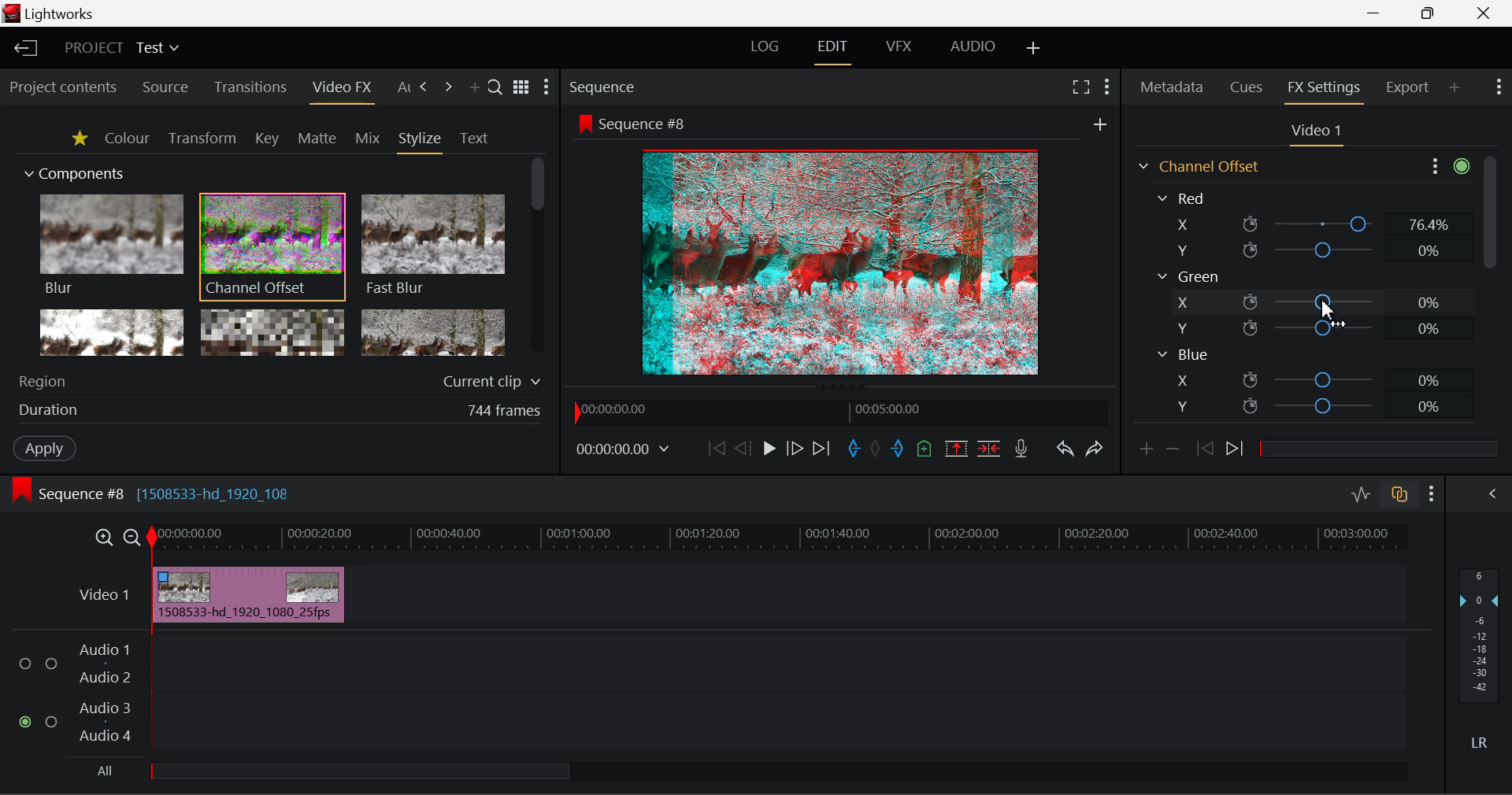  Describe the element at coordinates (62, 88) in the screenshot. I see `Project contents` at that location.